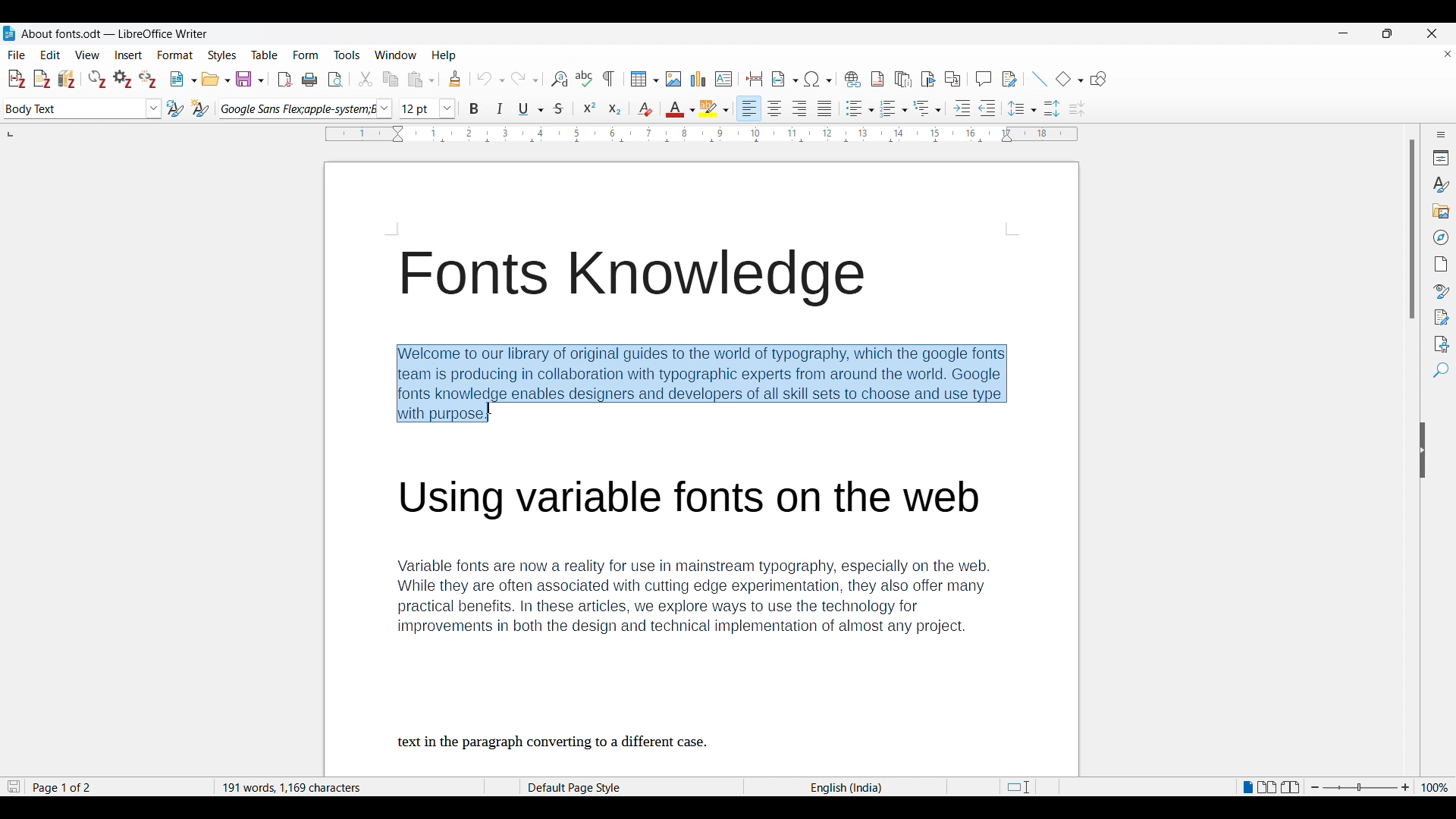 The width and height of the screenshot is (1456, 819). What do you see at coordinates (1247, 786) in the screenshot?
I see `Single page view` at bounding box center [1247, 786].